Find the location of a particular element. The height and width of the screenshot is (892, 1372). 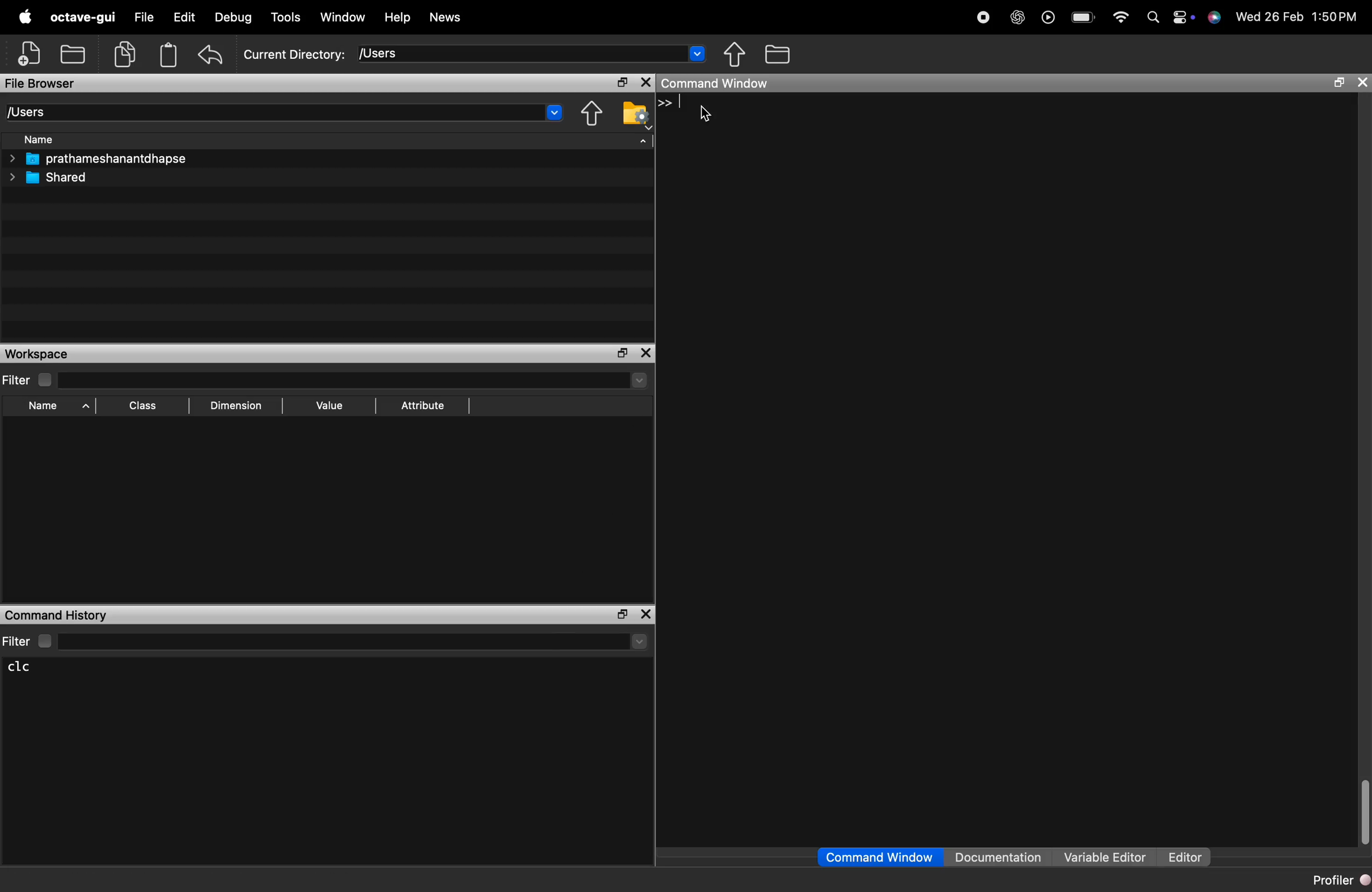

Siri is located at coordinates (1213, 17).